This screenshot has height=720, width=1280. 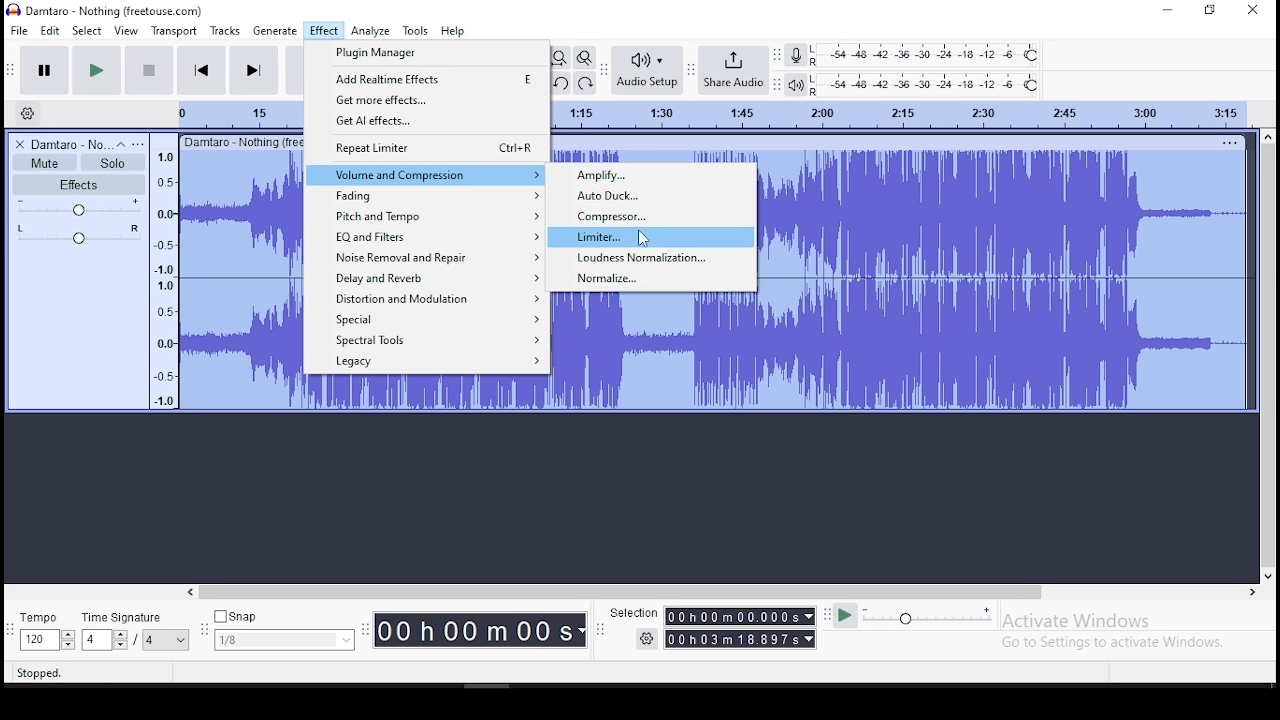 What do you see at coordinates (18, 29) in the screenshot?
I see `file` at bounding box center [18, 29].